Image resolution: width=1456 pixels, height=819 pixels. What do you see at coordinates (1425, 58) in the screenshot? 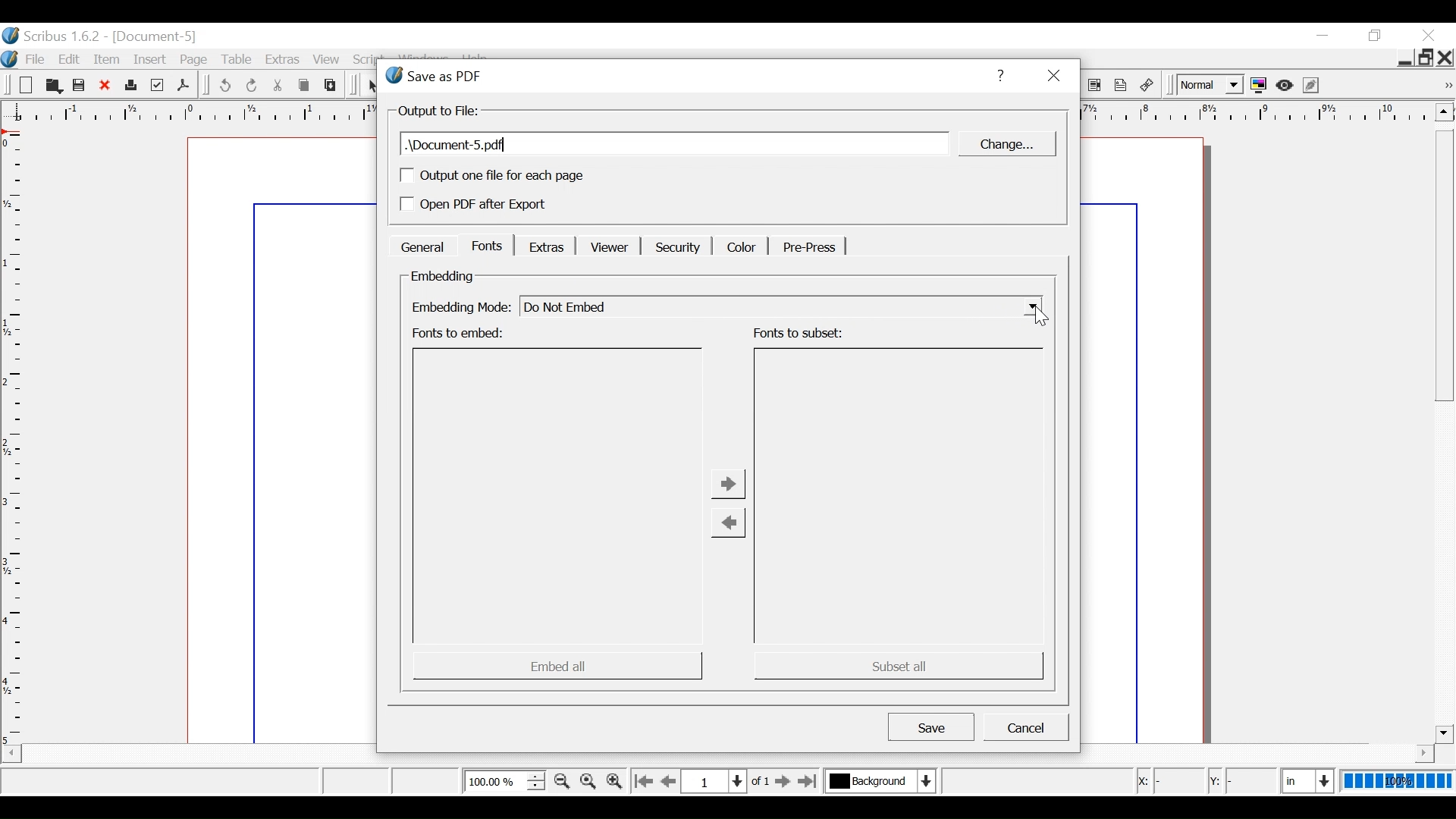
I see `Restore` at bounding box center [1425, 58].